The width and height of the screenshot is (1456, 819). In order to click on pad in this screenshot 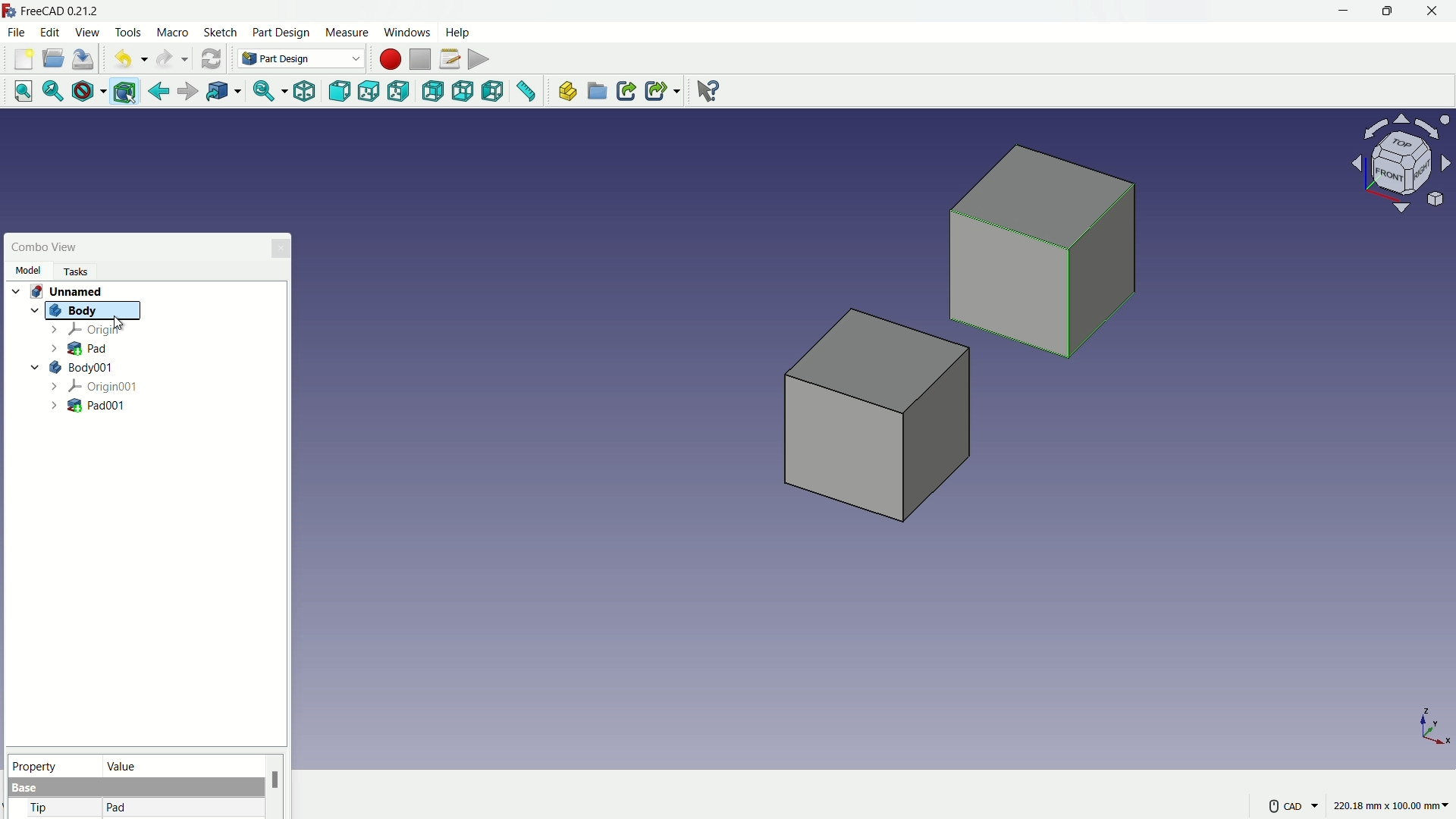, I will do `click(117, 808)`.